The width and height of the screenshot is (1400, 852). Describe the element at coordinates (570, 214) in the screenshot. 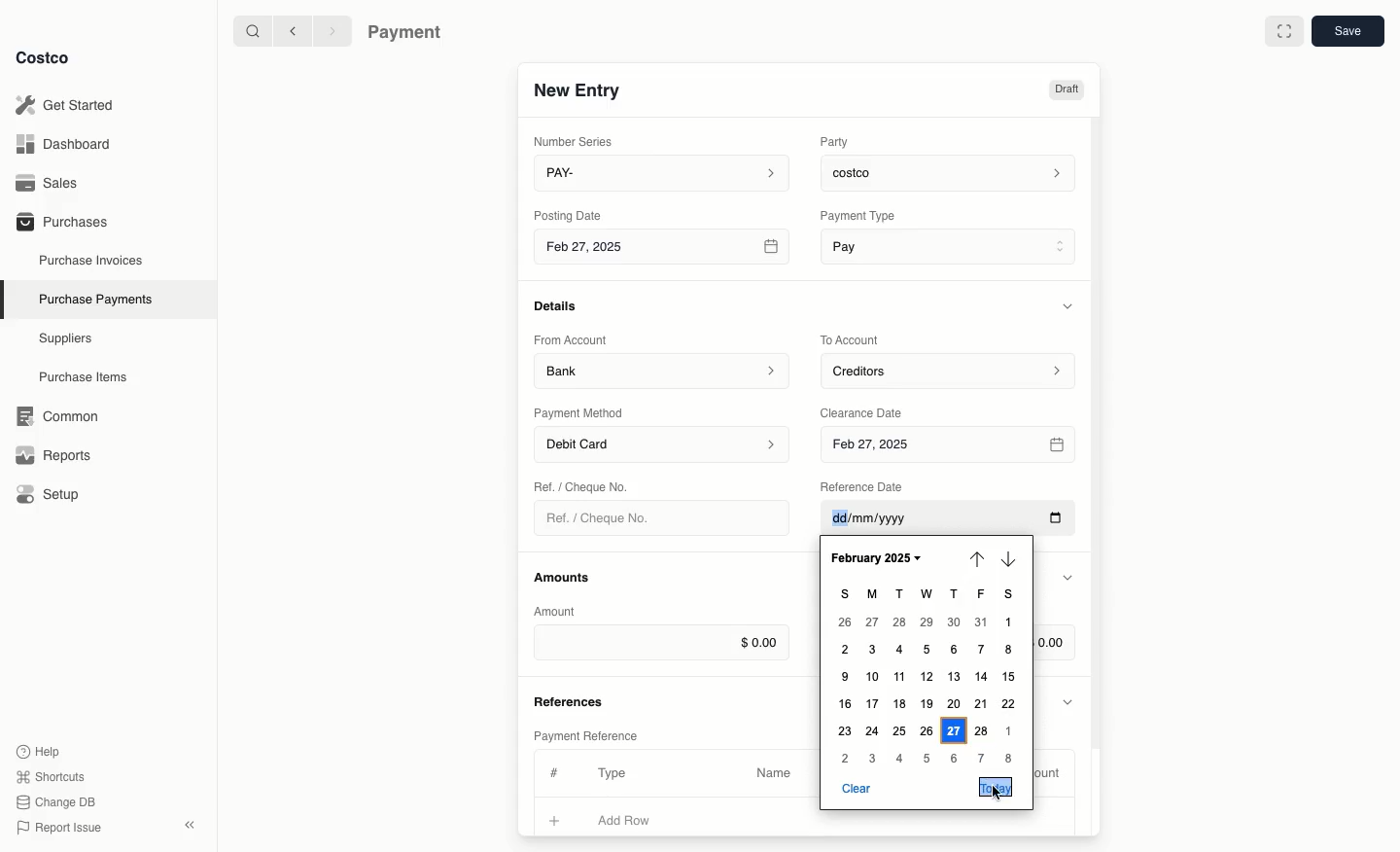

I see `Posting Date` at that location.